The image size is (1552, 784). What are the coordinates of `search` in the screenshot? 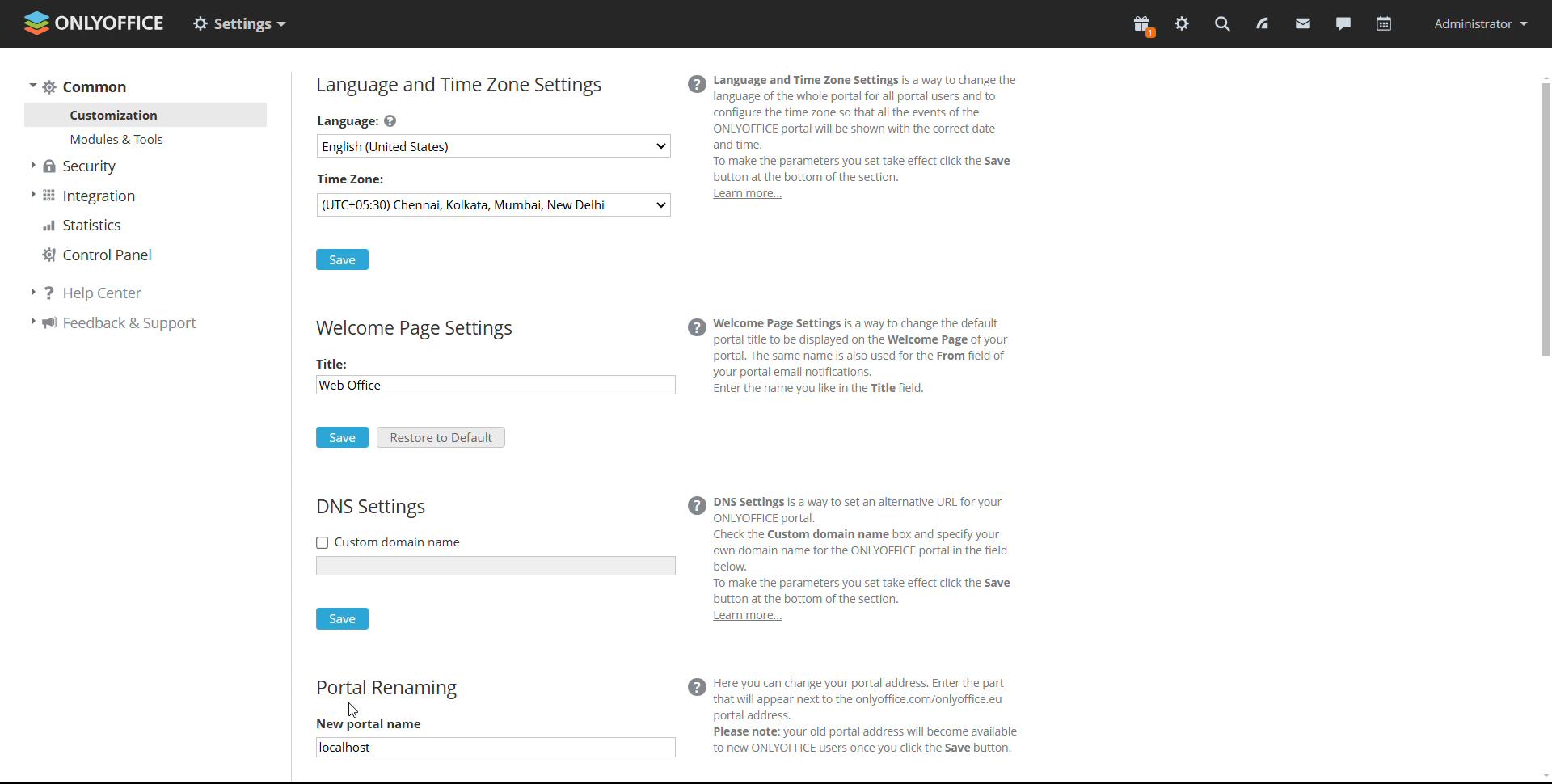 It's located at (1221, 23).